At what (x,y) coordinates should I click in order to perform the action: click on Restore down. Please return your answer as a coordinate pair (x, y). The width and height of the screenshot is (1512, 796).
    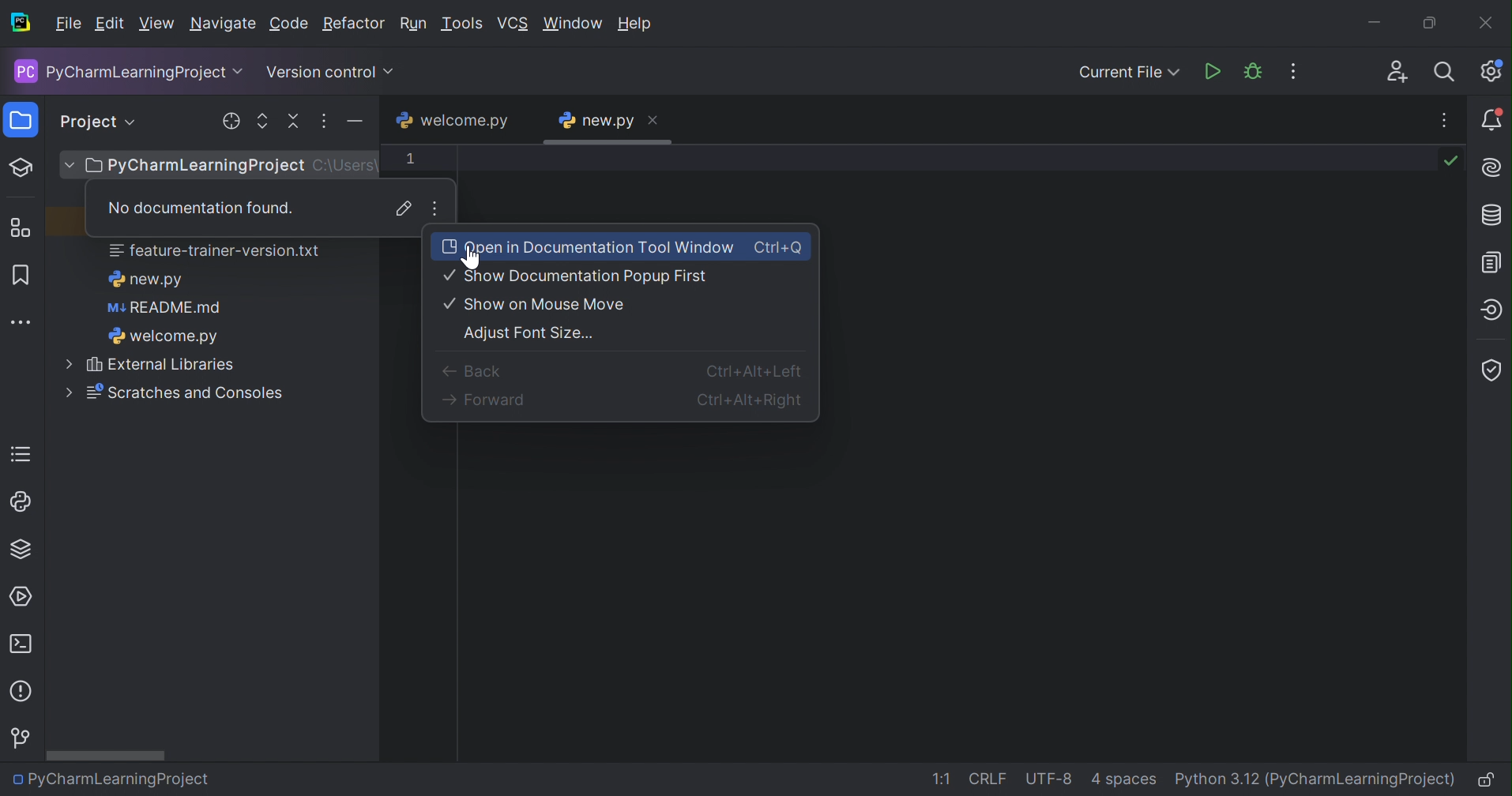
    Looking at the image, I should click on (1435, 24).